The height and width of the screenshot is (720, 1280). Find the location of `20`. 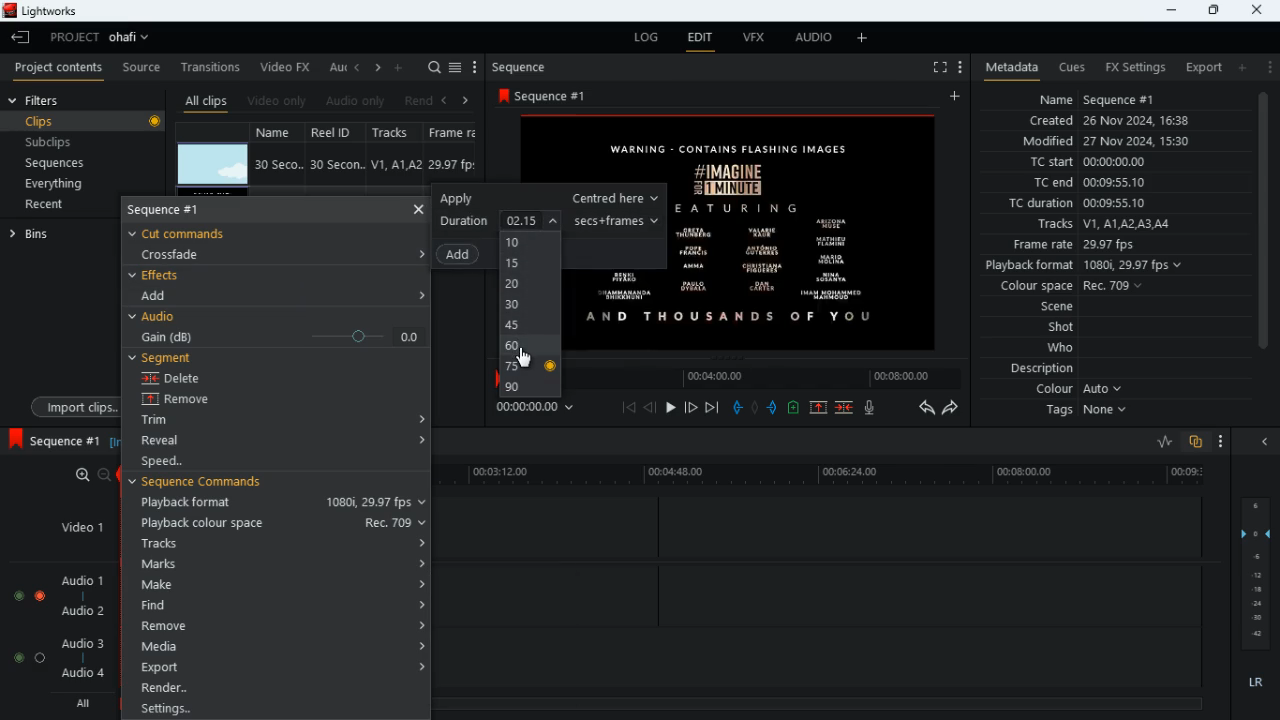

20 is located at coordinates (530, 286).